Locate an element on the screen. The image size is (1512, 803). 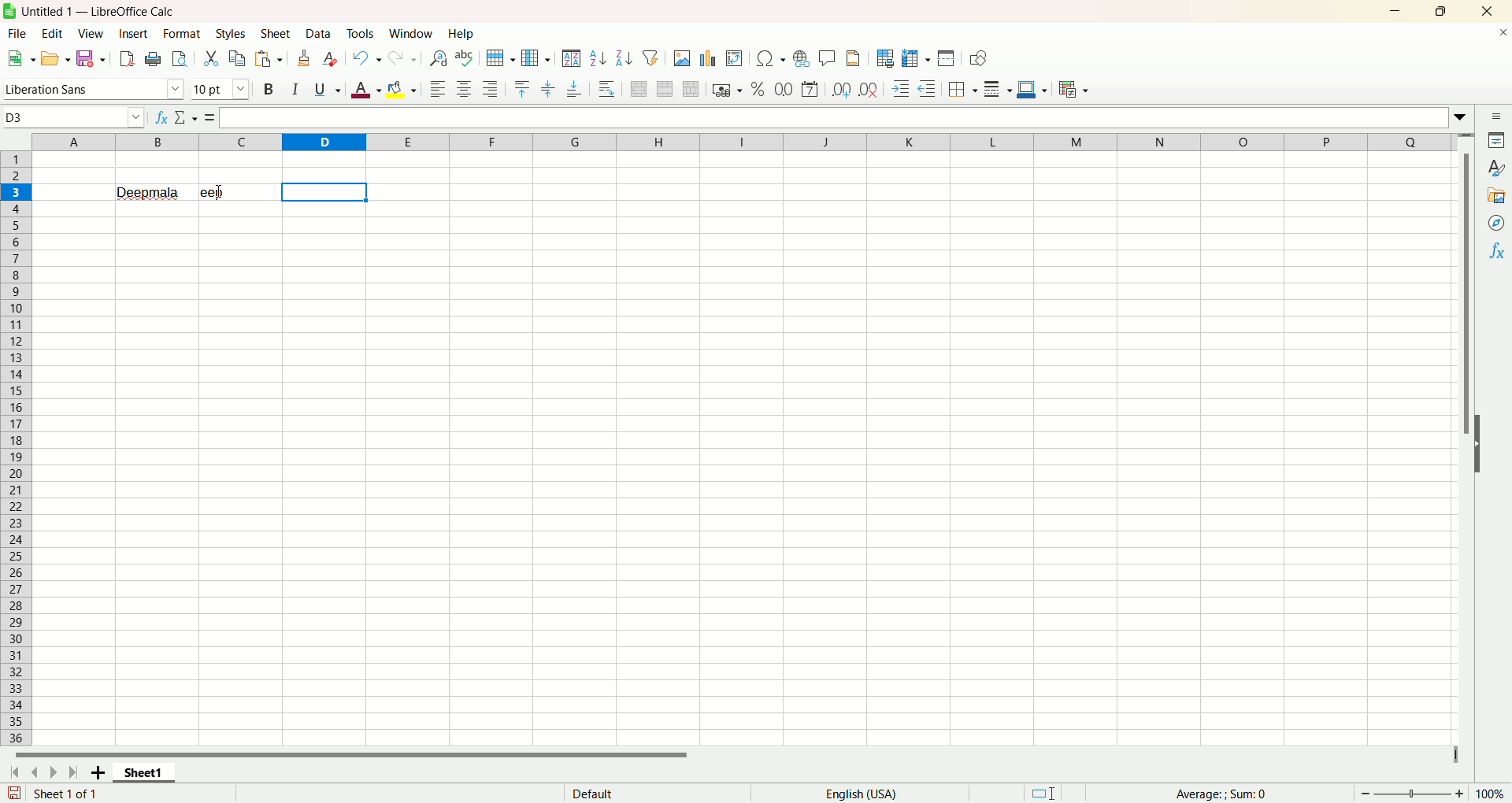
Align center is located at coordinates (465, 90).